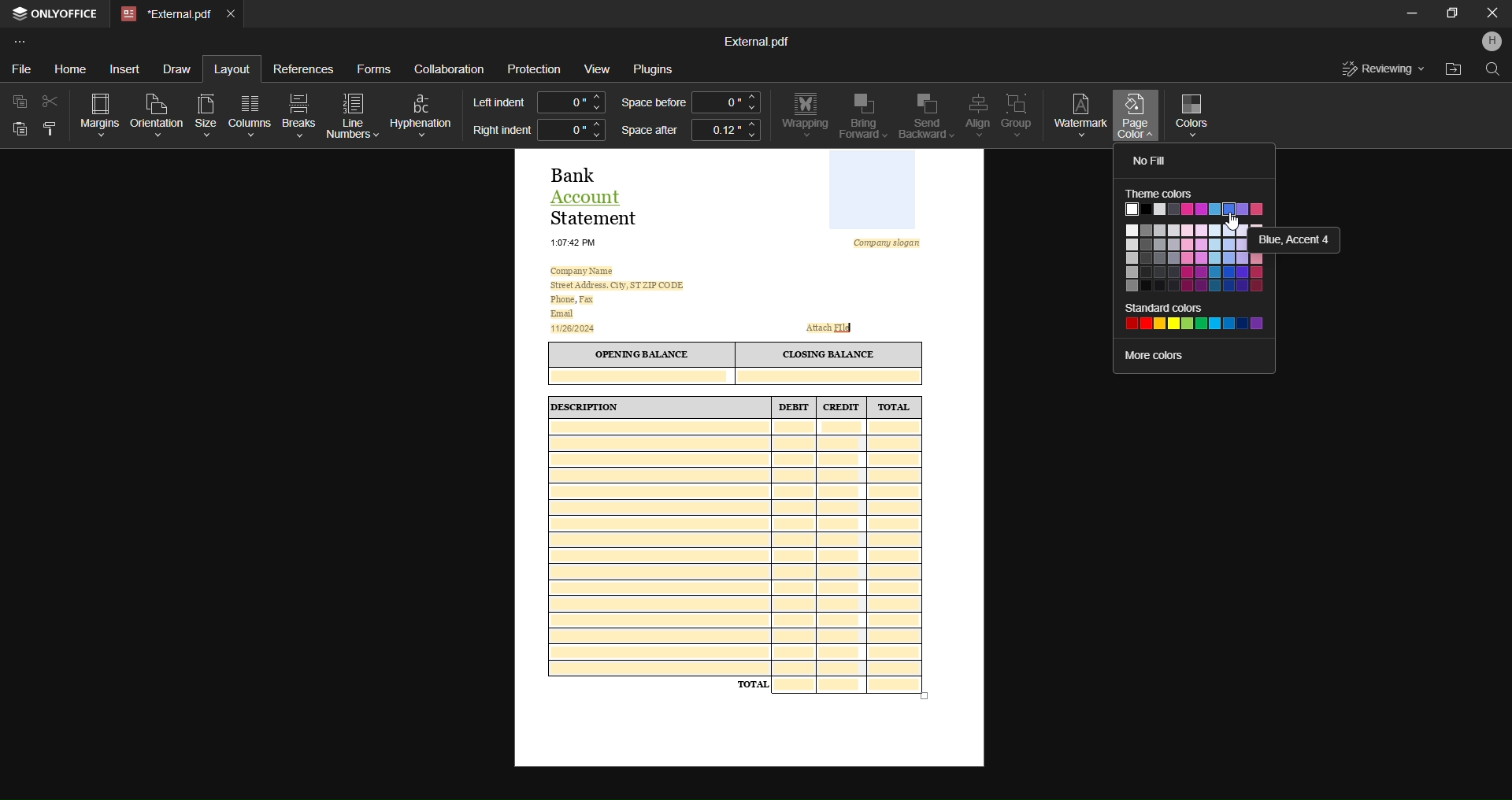 Image resolution: width=1512 pixels, height=800 pixels. Describe the element at coordinates (299, 115) in the screenshot. I see `Breaks` at that location.